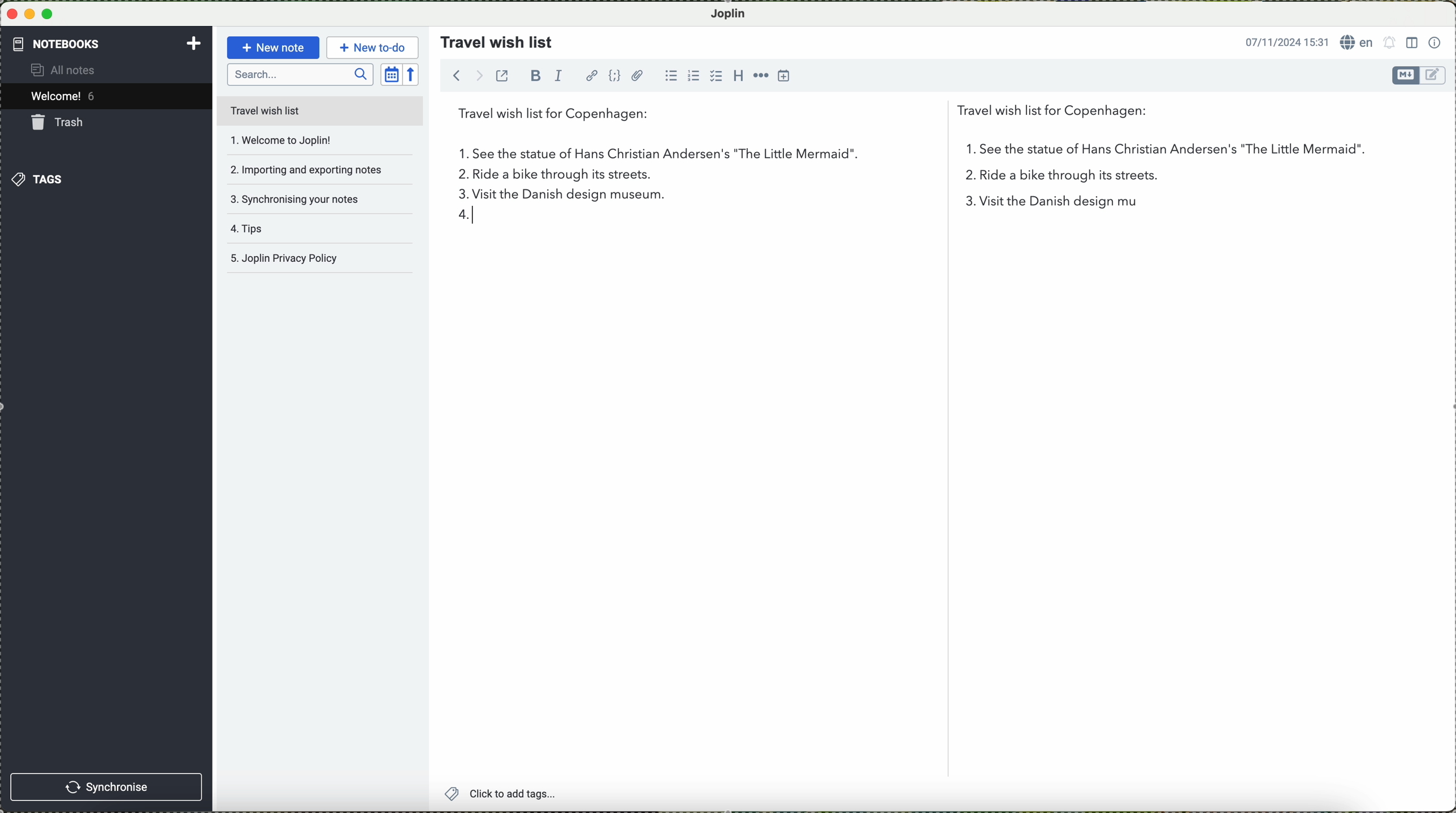 The width and height of the screenshot is (1456, 813). I want to click on horizontal rule, so click(760, 75).